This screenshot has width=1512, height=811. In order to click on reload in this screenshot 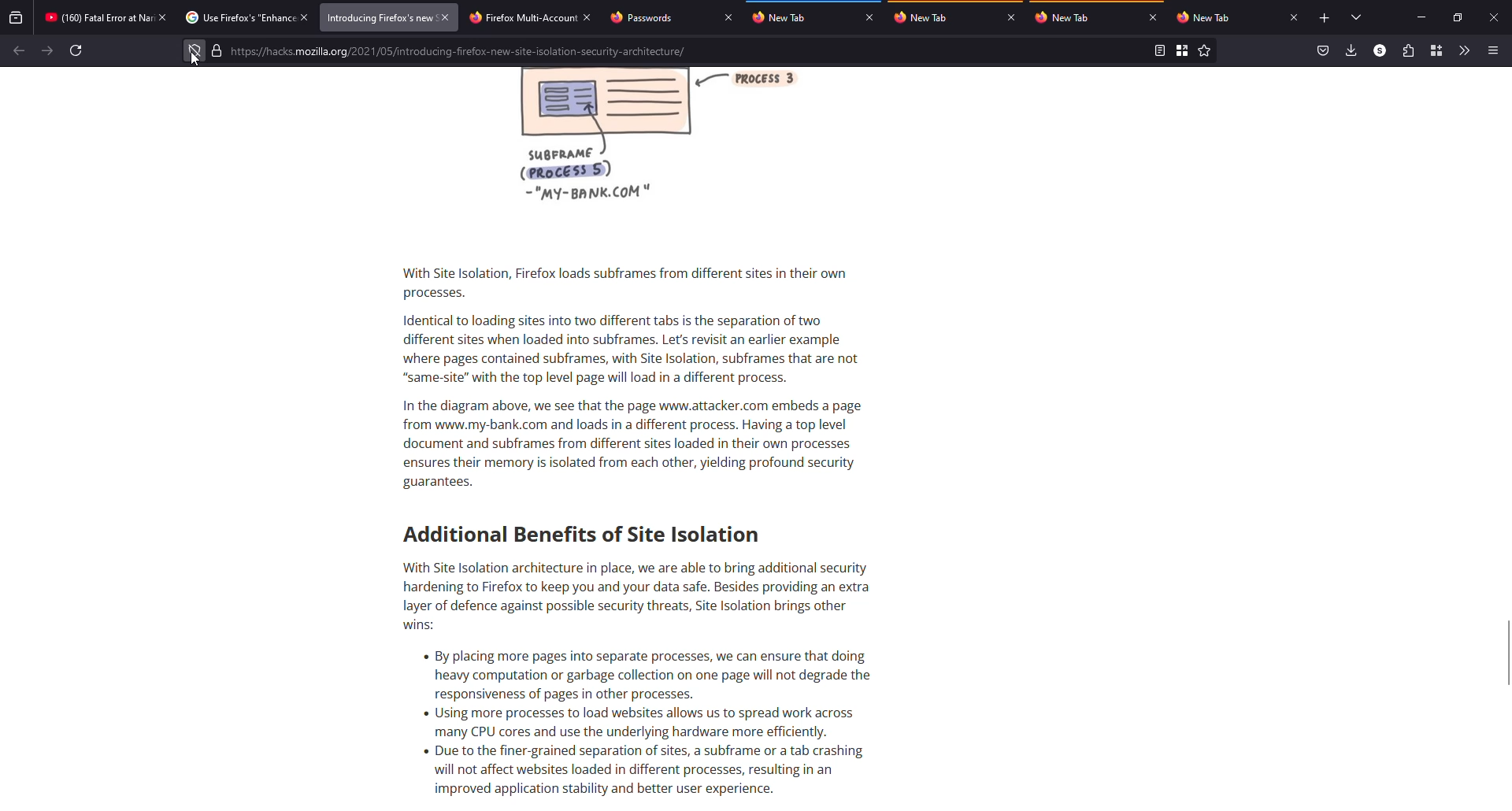, I will do `click(78, 50)`.